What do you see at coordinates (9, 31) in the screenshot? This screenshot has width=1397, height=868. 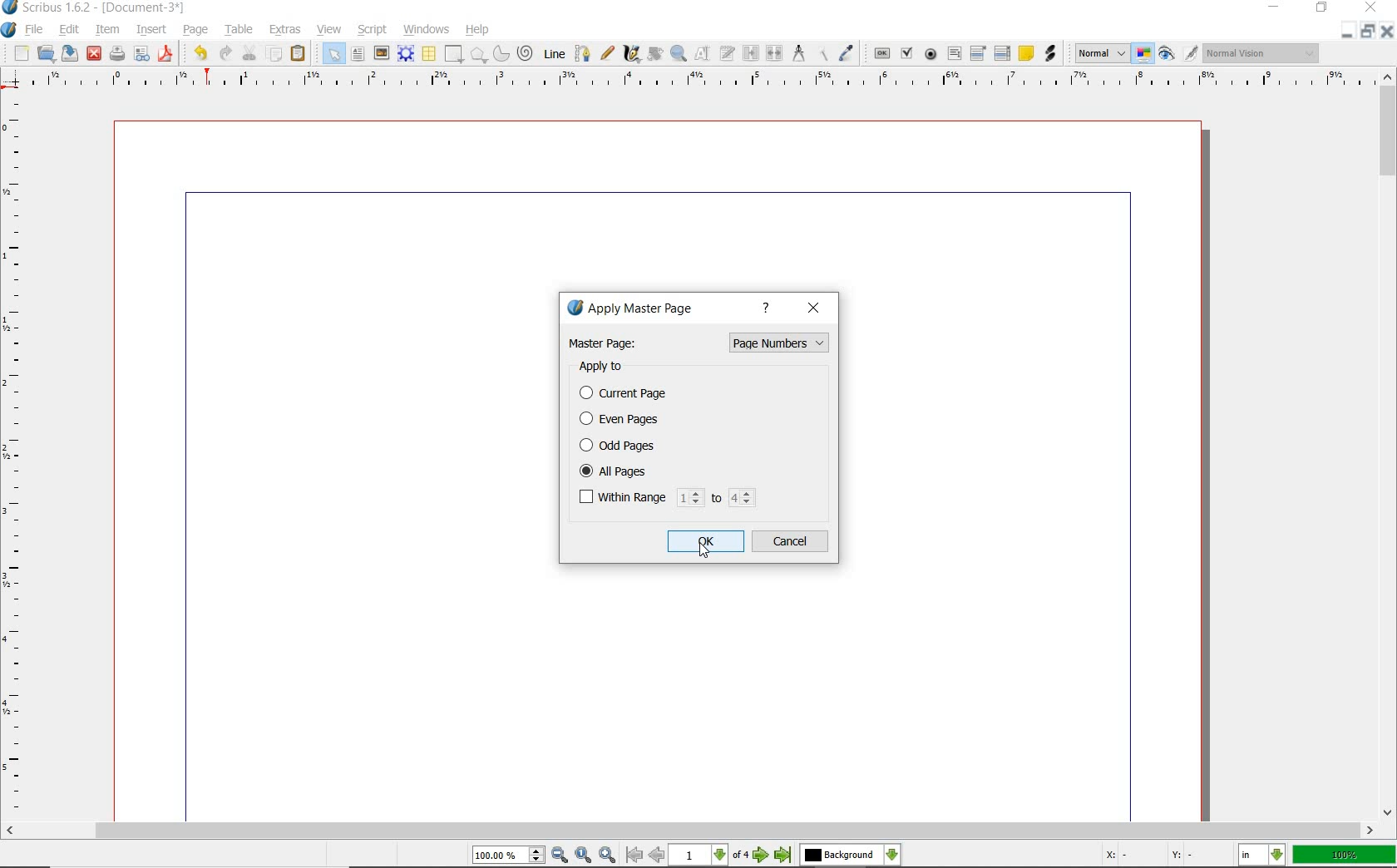 I see `system logo` at bounding box center [9, 31].